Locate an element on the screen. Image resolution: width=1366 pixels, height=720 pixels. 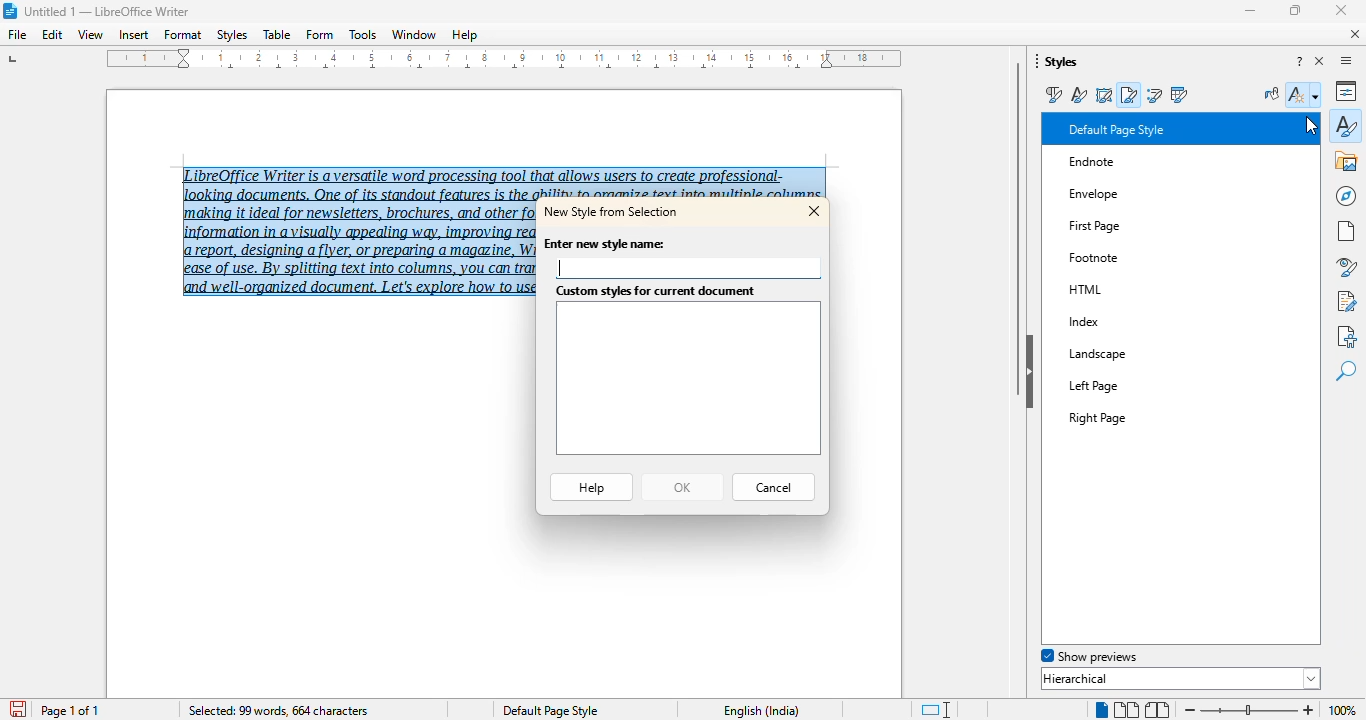
zoom in is located at coordinates (1307, 710).